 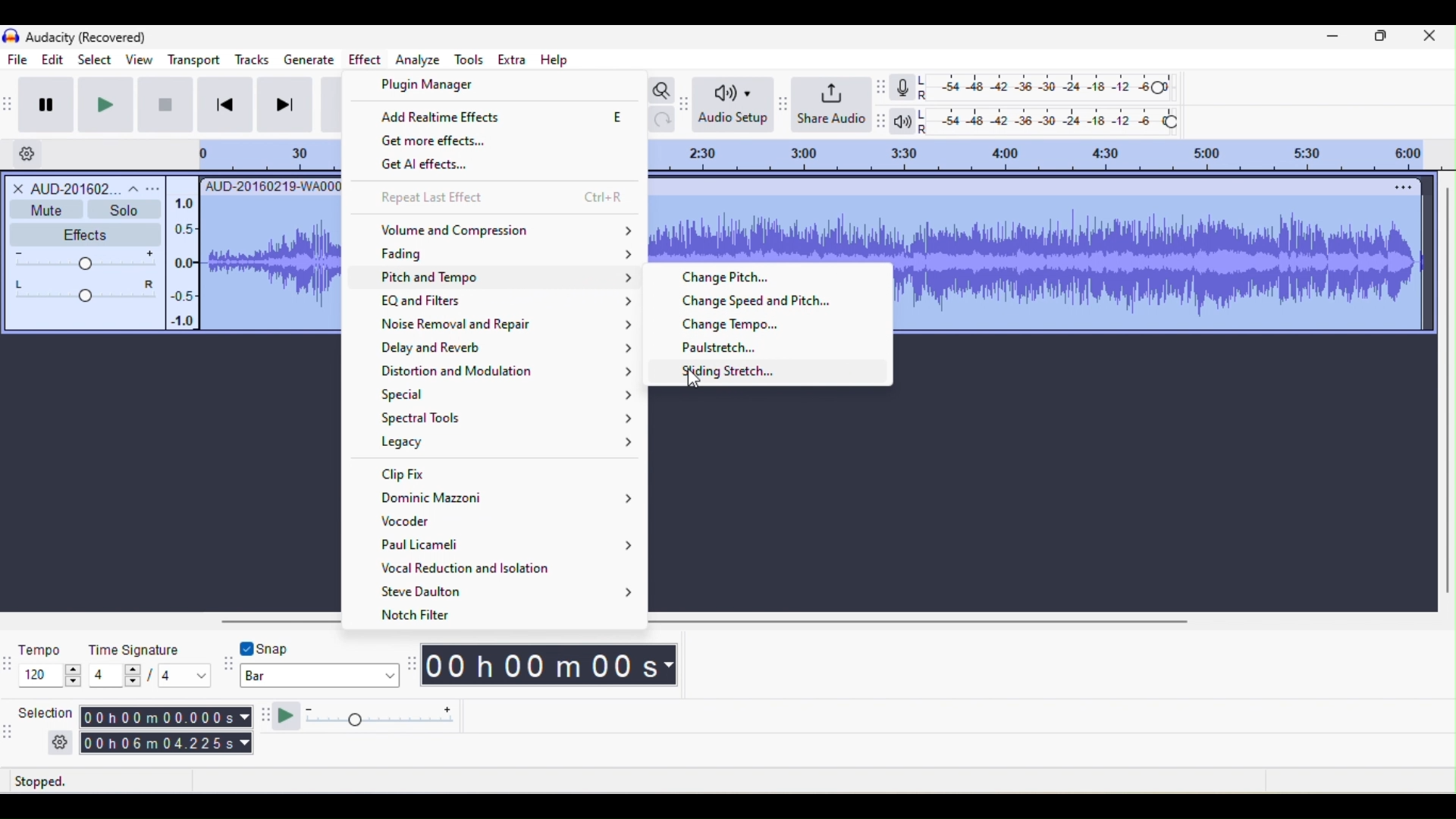 I want to click on Solo, so click(x=124, y=209).